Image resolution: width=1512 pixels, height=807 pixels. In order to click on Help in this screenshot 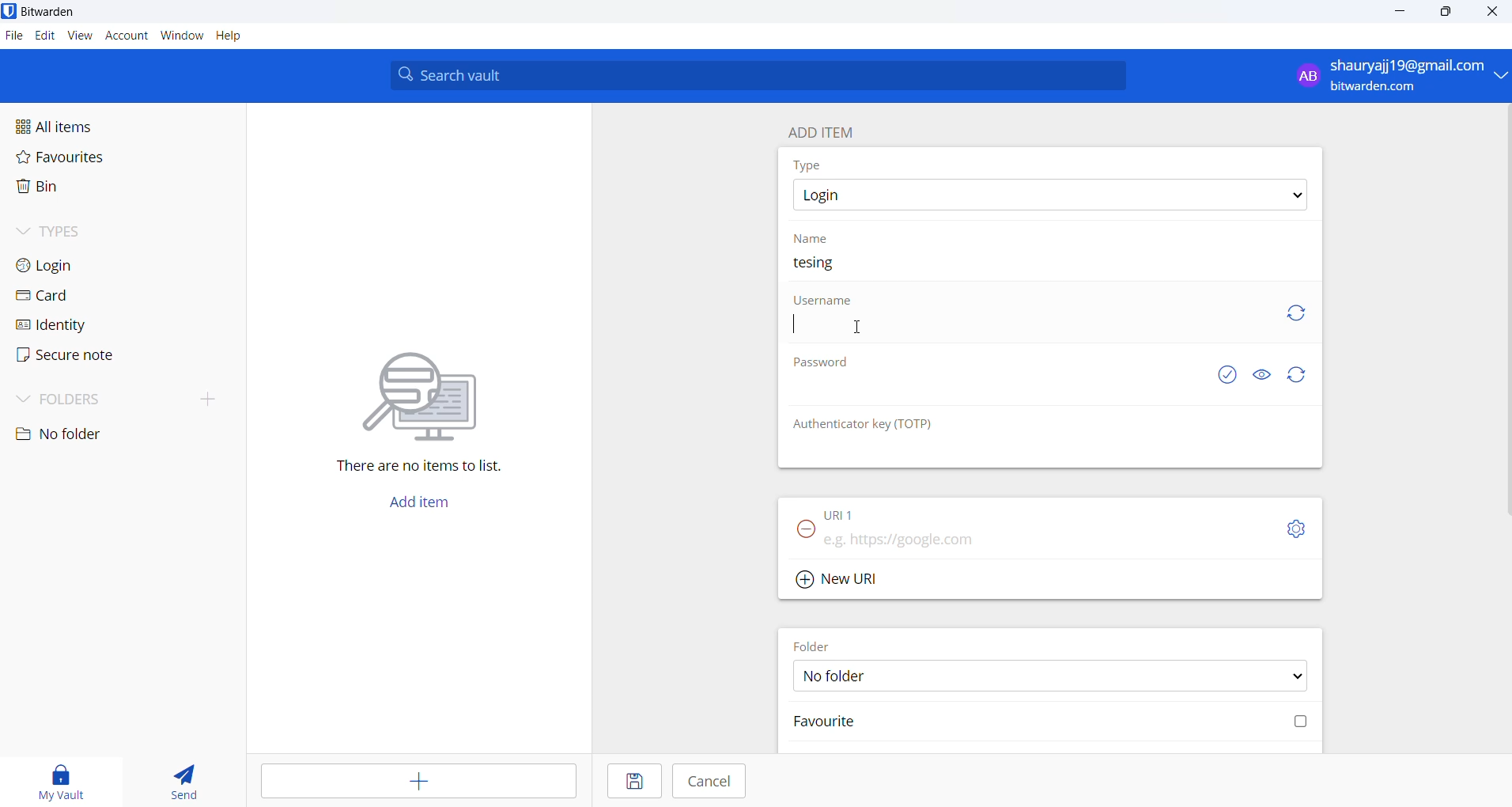, I will do `click(238, 37)`.